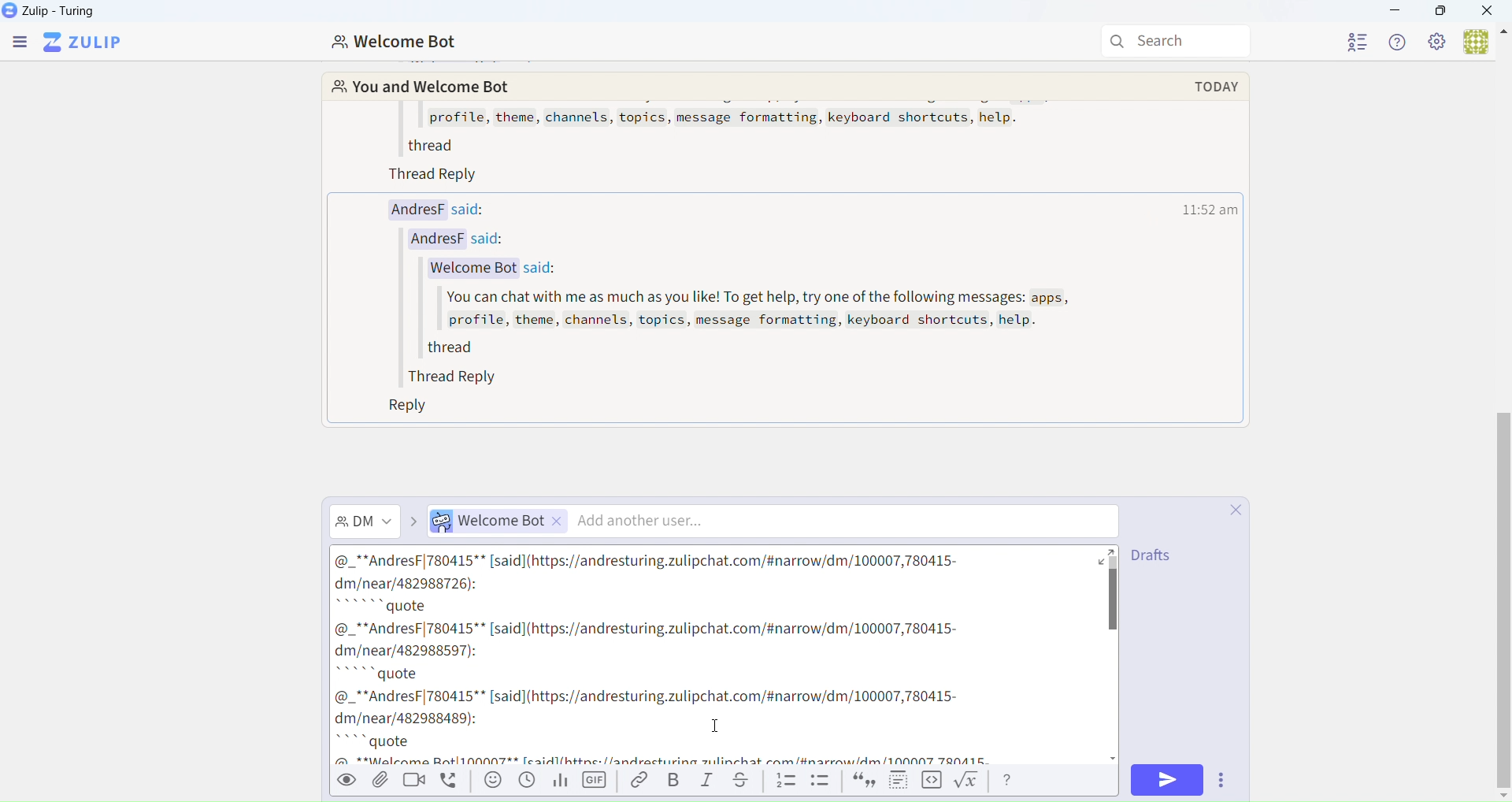  What do you see at coordinates (1362, 43) in the screenshot?
I see `User List` at bounding box center [1362, 43].